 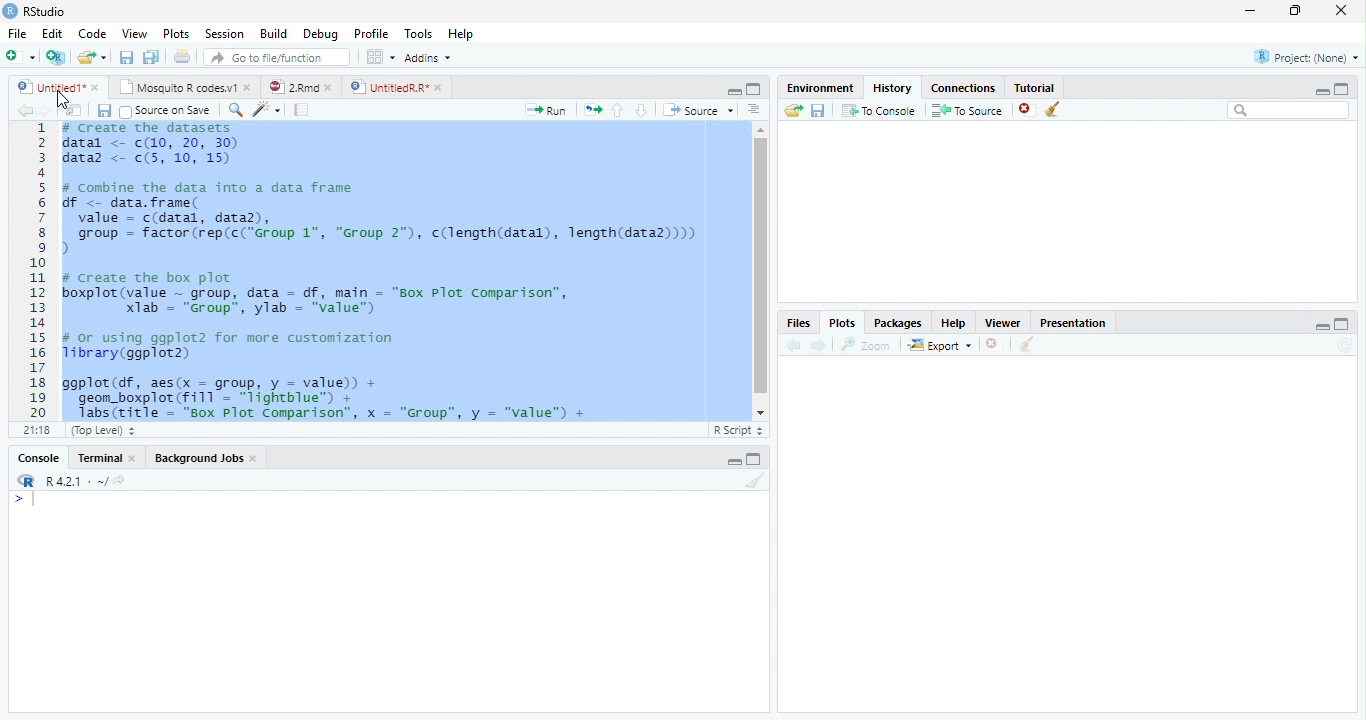 I want to click on Plots, so click(x=842, y=323).